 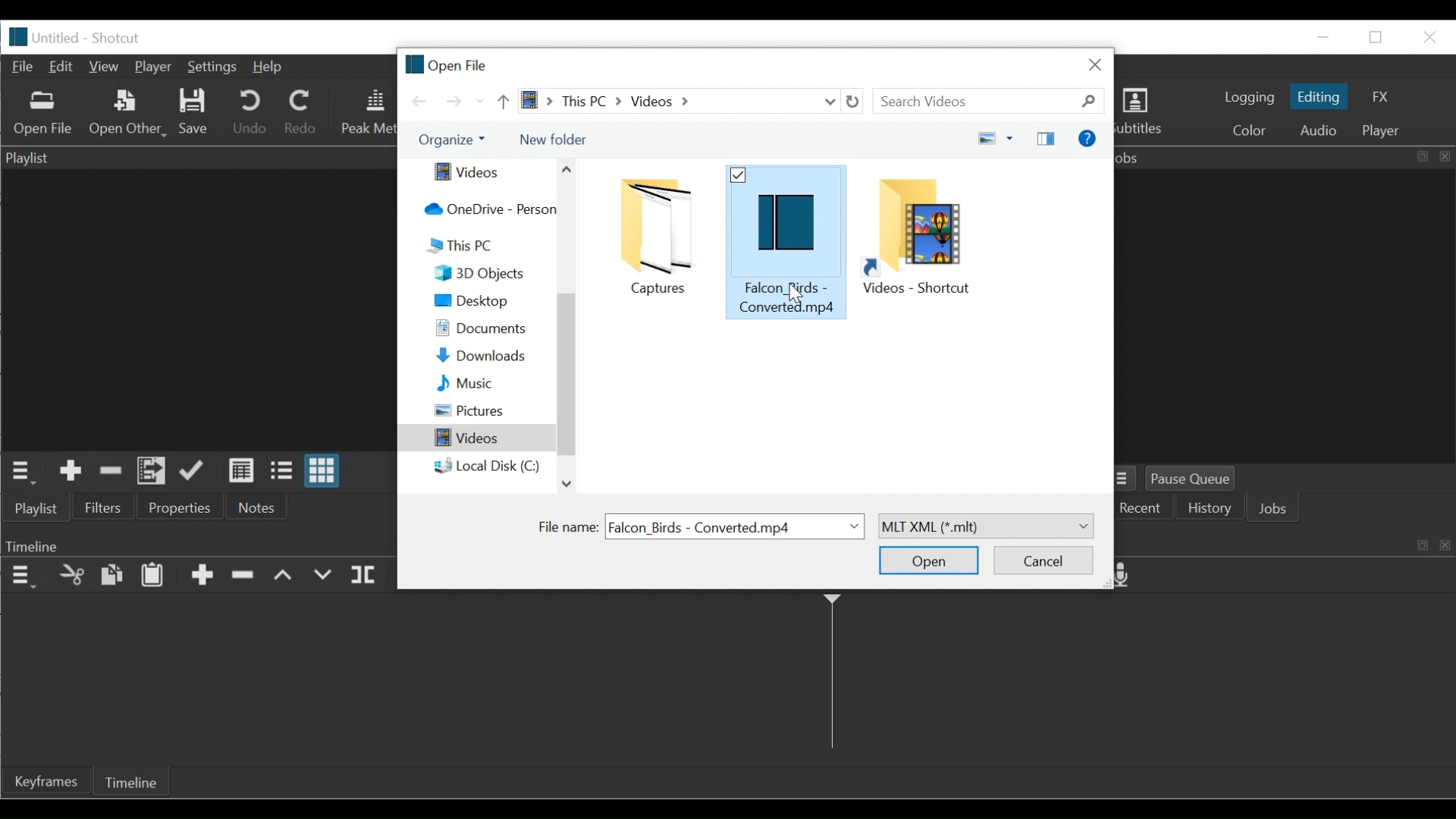 What do you see at coordinates (984, 527) in the screenshot?
I see `MLT XML (*.mlt)` at bounding box center [984, 527].